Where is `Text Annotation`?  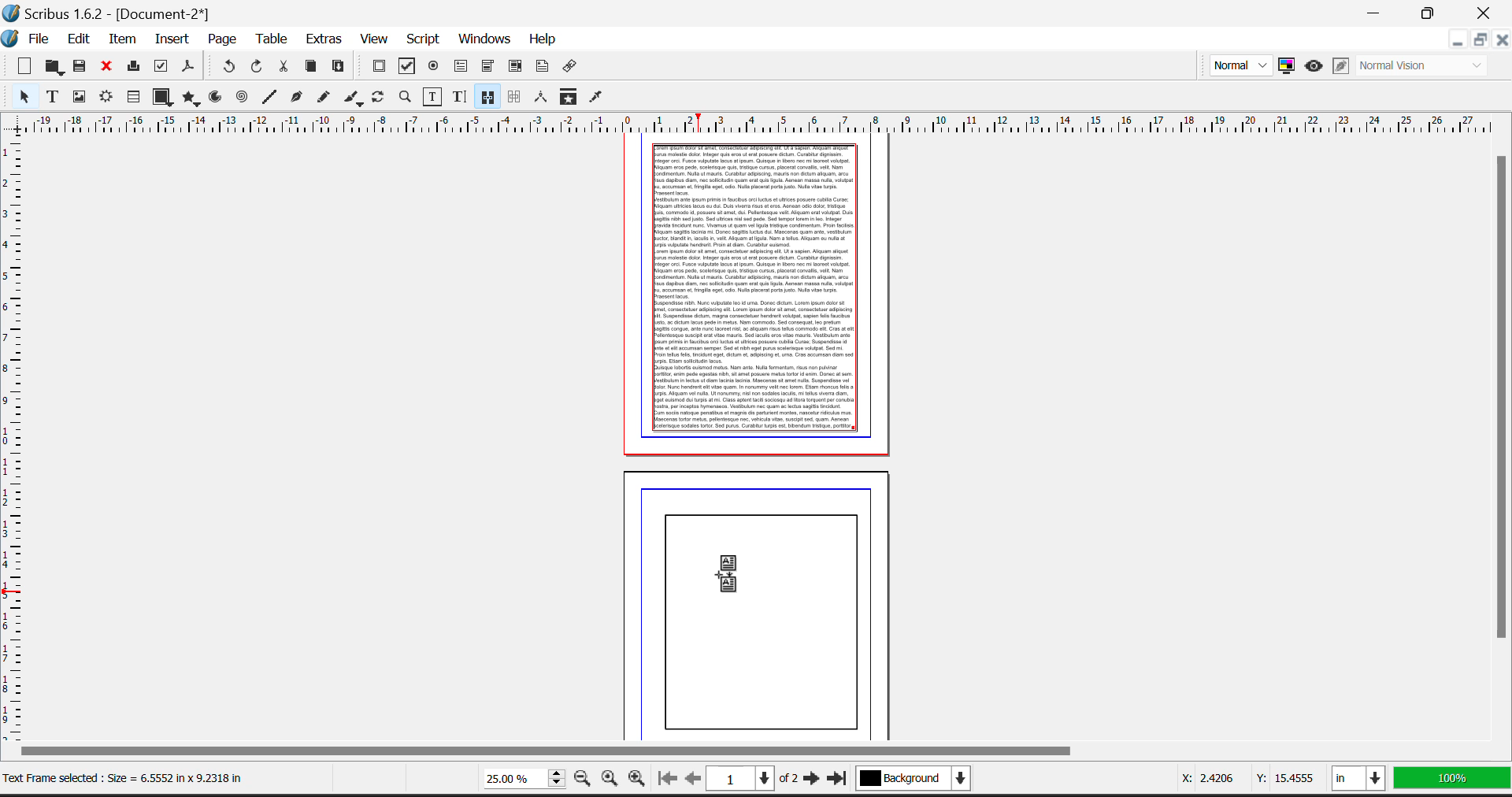
Text Annotation is located at coordinates (544, 68).